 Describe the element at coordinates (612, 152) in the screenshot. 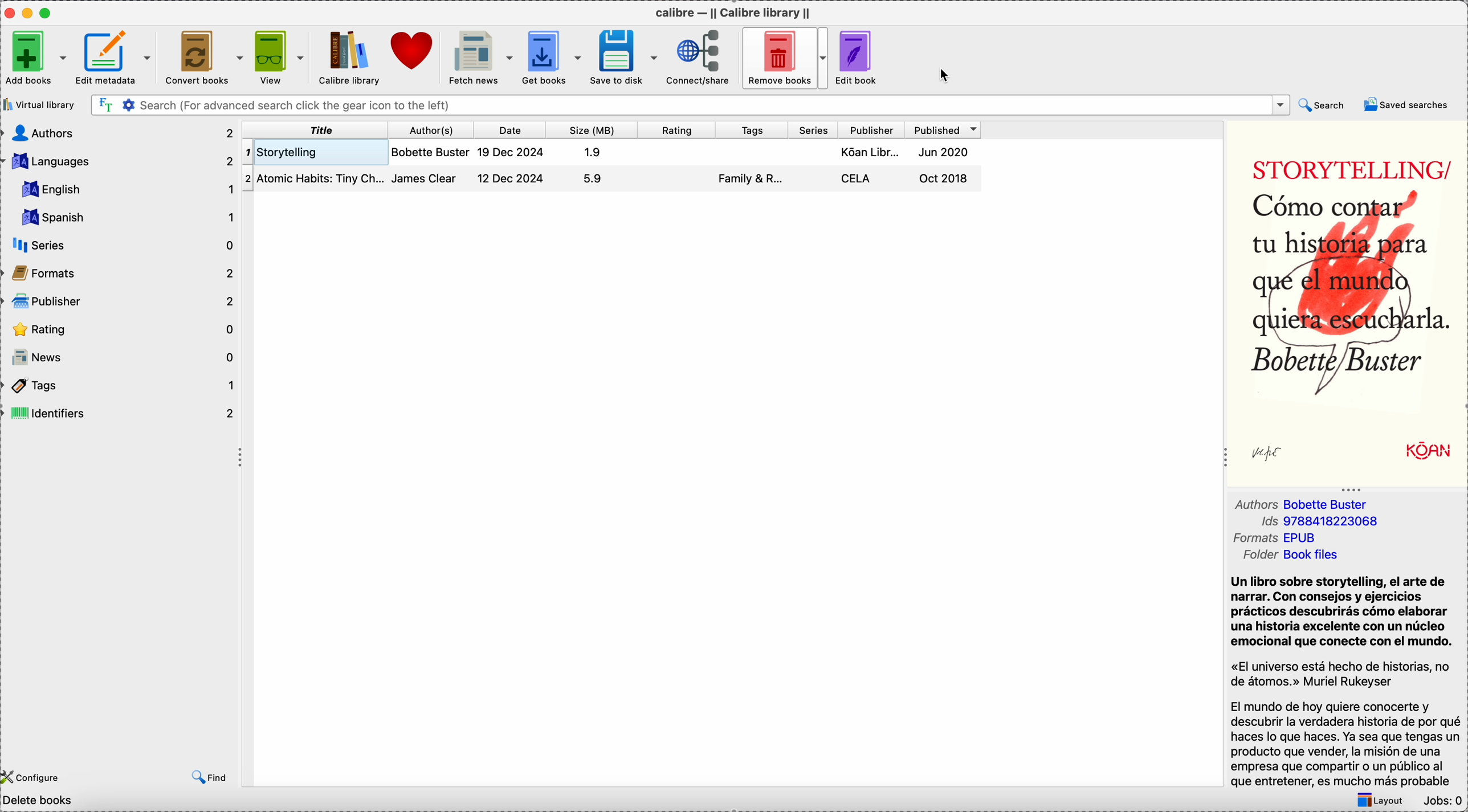

I see `Storytelling` at that location.